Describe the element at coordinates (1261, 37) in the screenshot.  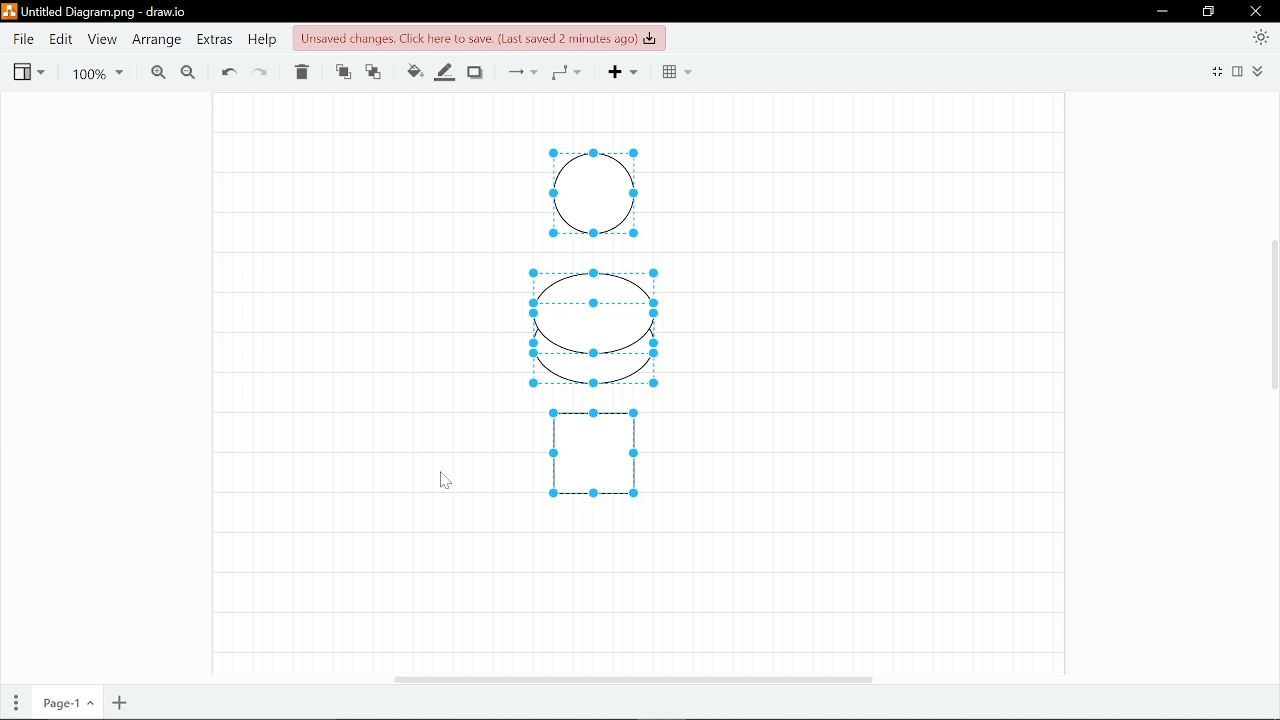
I see `Appearence` at that location.